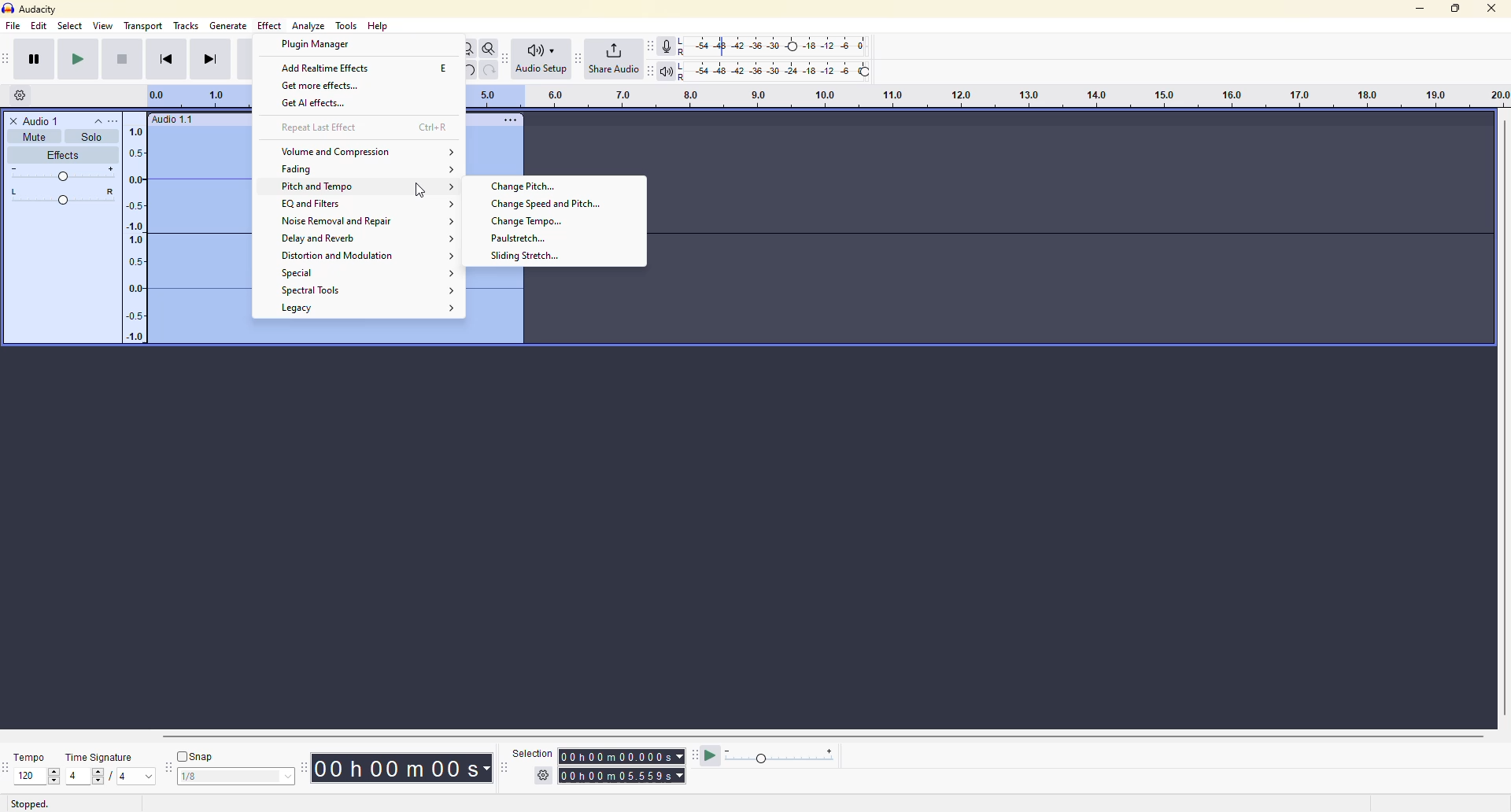 The image size is (1511, 812). I want to click on up, so click(54, 770).